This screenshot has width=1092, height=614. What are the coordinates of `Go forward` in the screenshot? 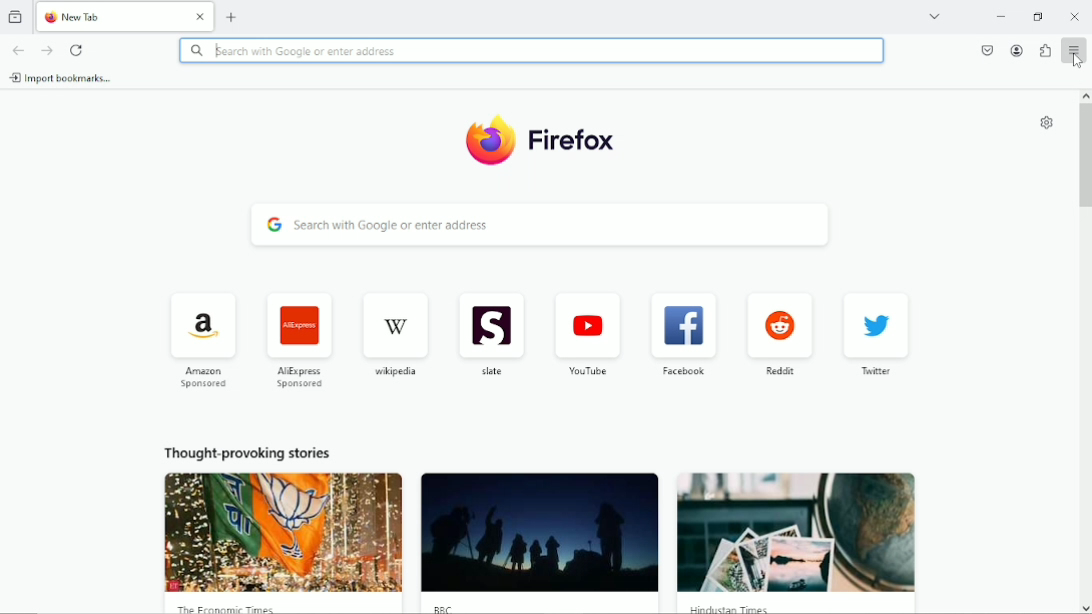 It's located at (46, 50).